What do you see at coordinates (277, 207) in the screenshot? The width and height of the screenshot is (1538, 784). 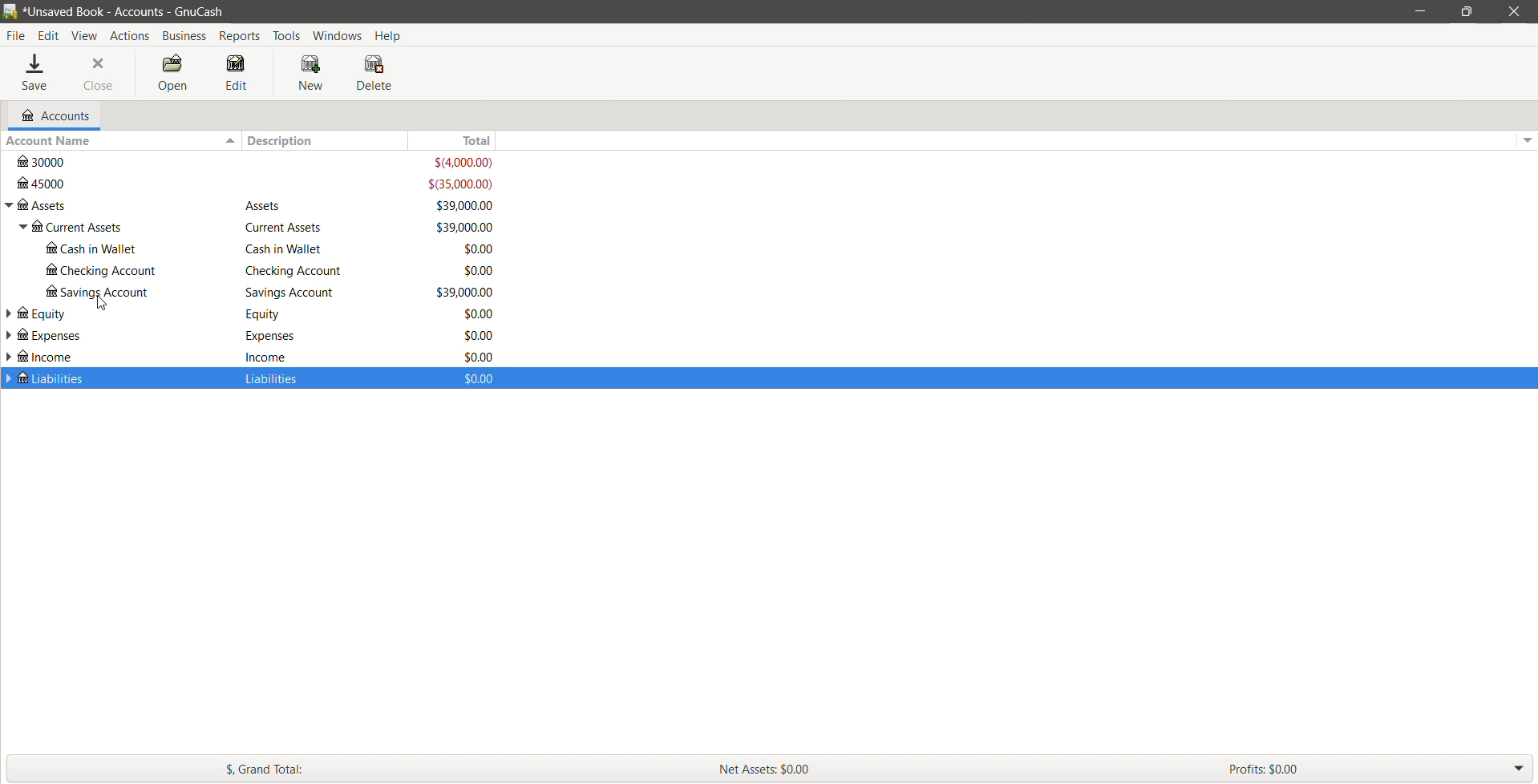 I see `Assets` at bounding box center [277, 207].